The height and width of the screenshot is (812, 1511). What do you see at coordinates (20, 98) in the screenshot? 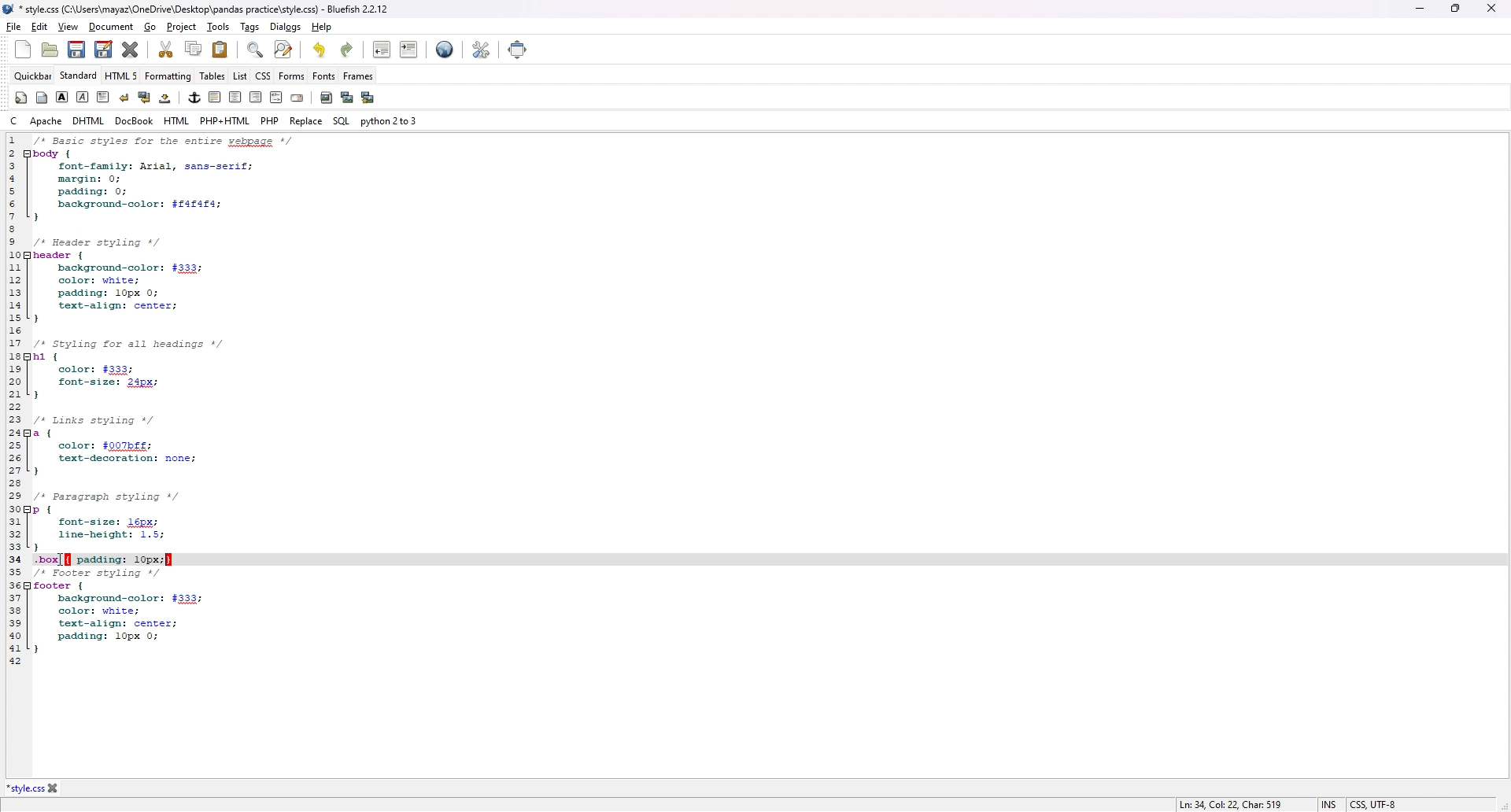
I see `quickbar` at bounding box center [20, 98].